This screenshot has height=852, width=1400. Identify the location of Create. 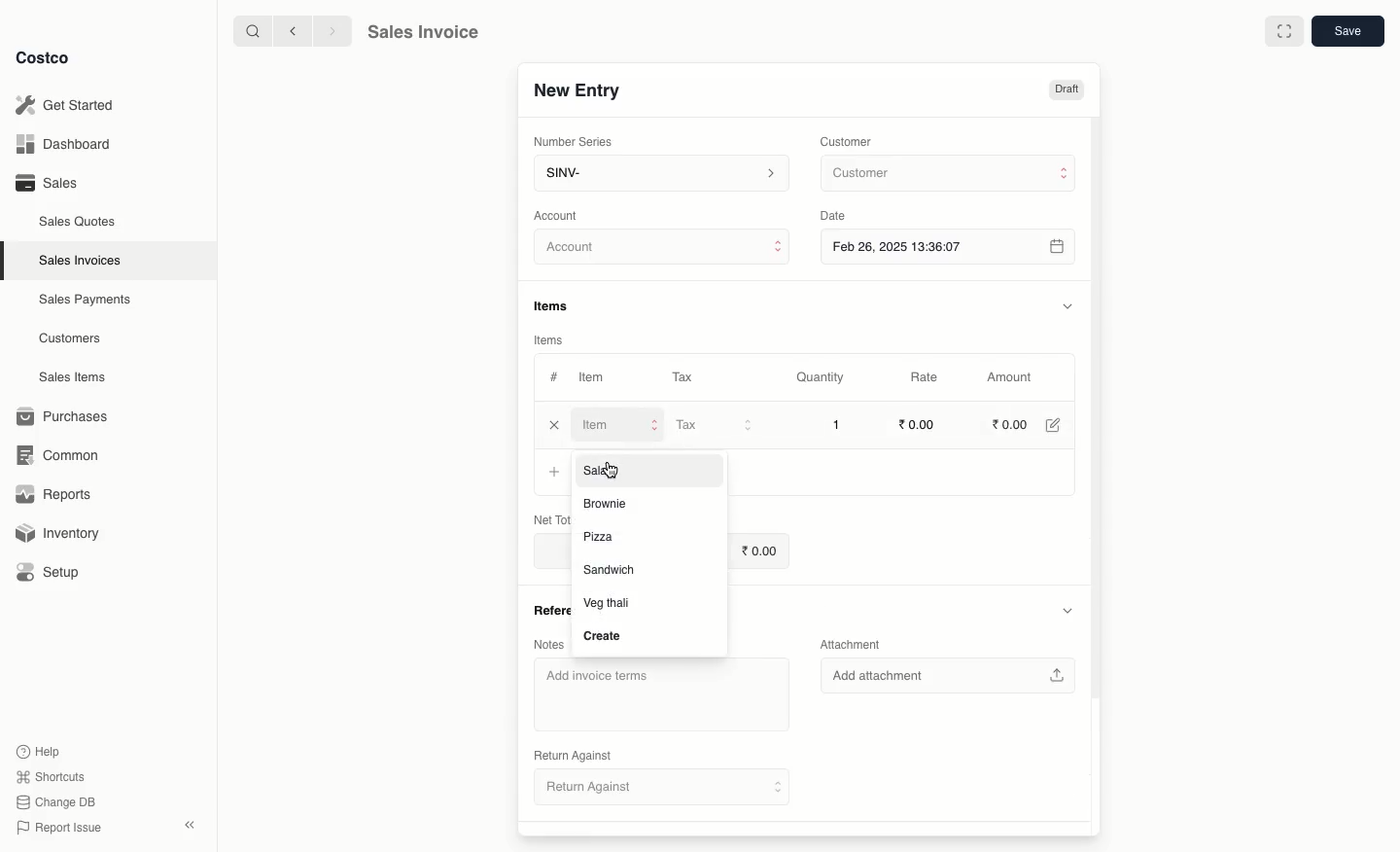
(603, 637).